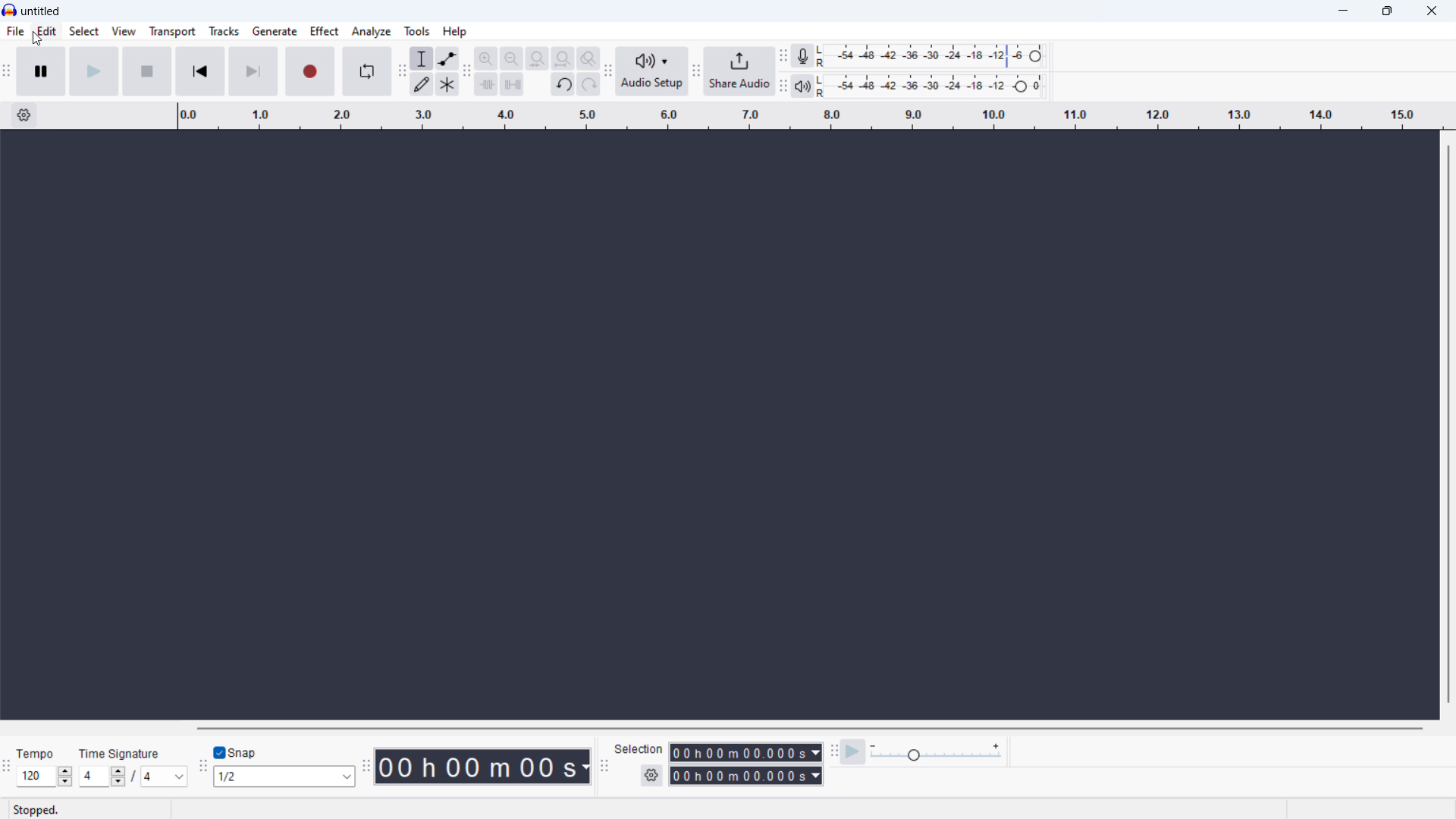 This screenshot has height=819, width=1456. What do you see at coordinates (513, 84) in the screenshot?
I see `silence audio selection` at bounding box center [513, 84].